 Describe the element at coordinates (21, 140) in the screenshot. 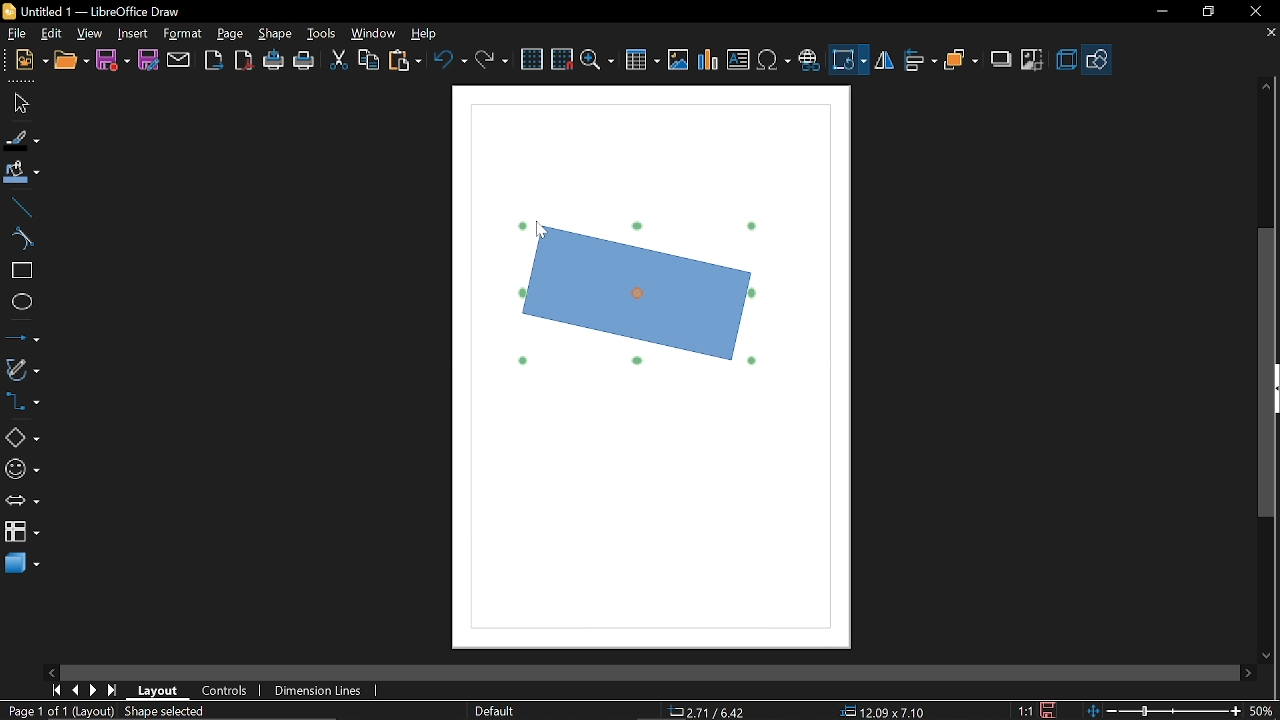

I see `Fill line` at that location.